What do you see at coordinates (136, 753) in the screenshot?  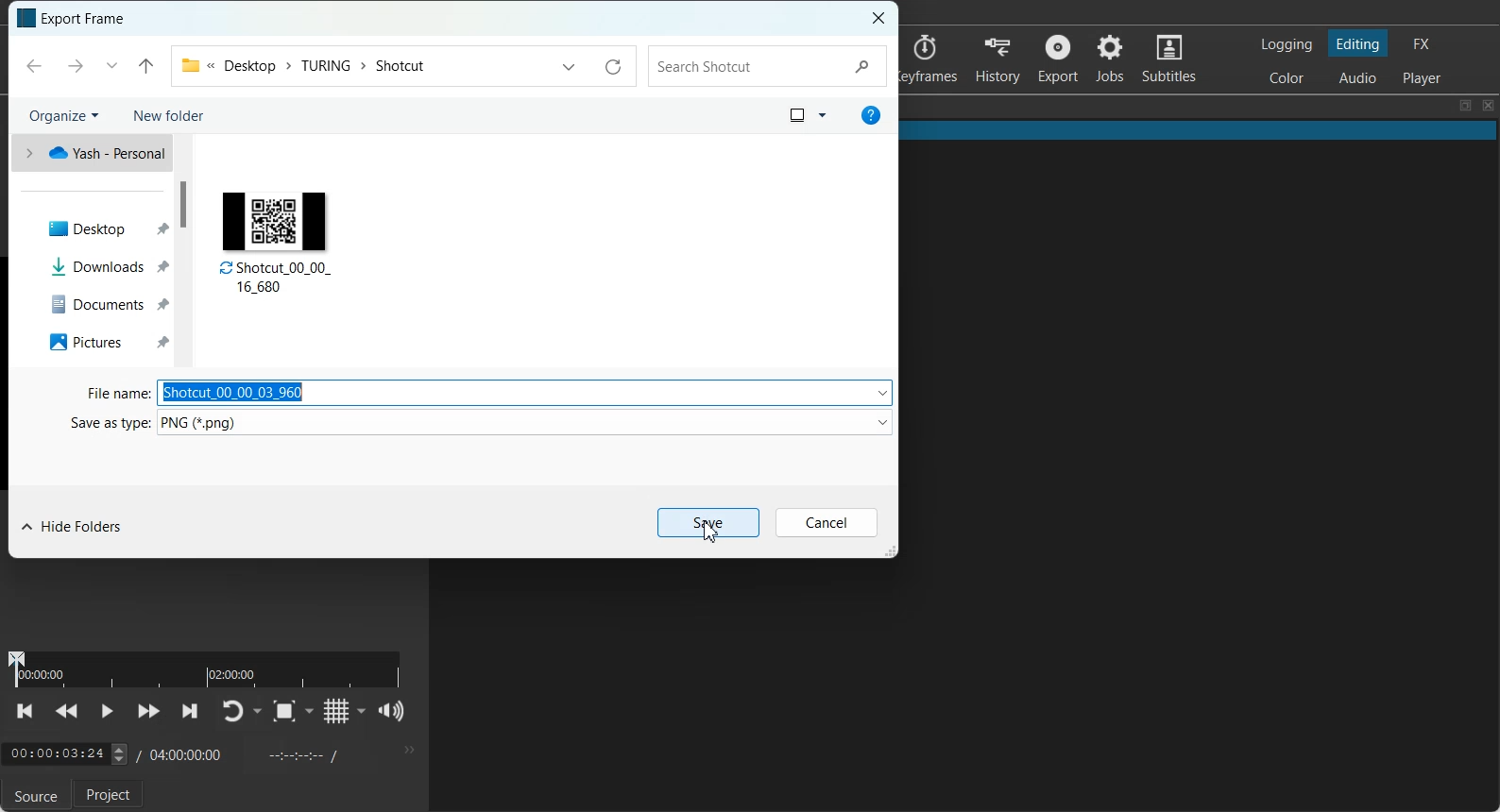 I see `/` at bounding box center [136, 753].